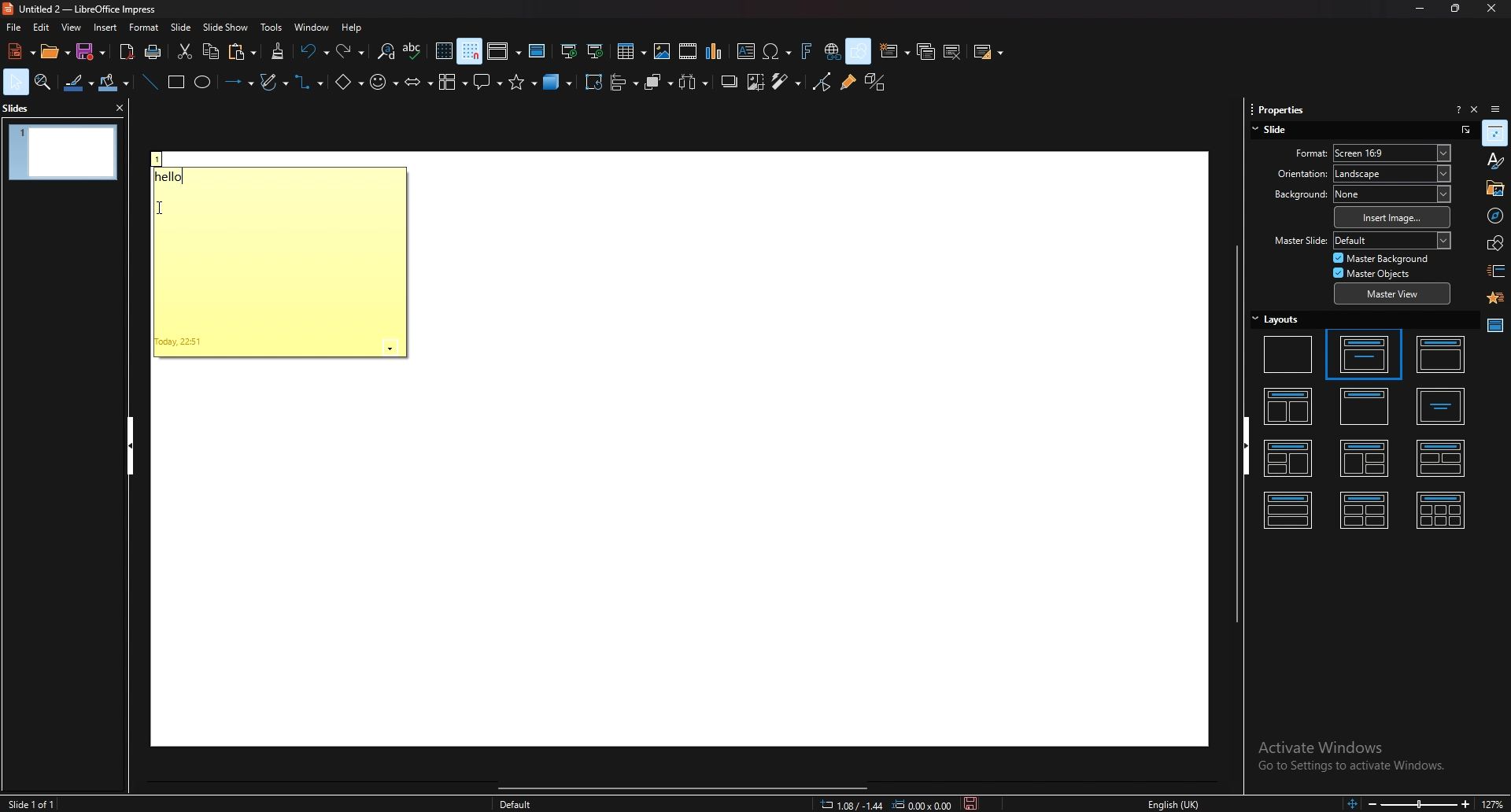 The height and width of the screenshot is (812, 1511). Describe the element at coordinates (560, 84) in the screenshot. I see `3d objects` at that location.